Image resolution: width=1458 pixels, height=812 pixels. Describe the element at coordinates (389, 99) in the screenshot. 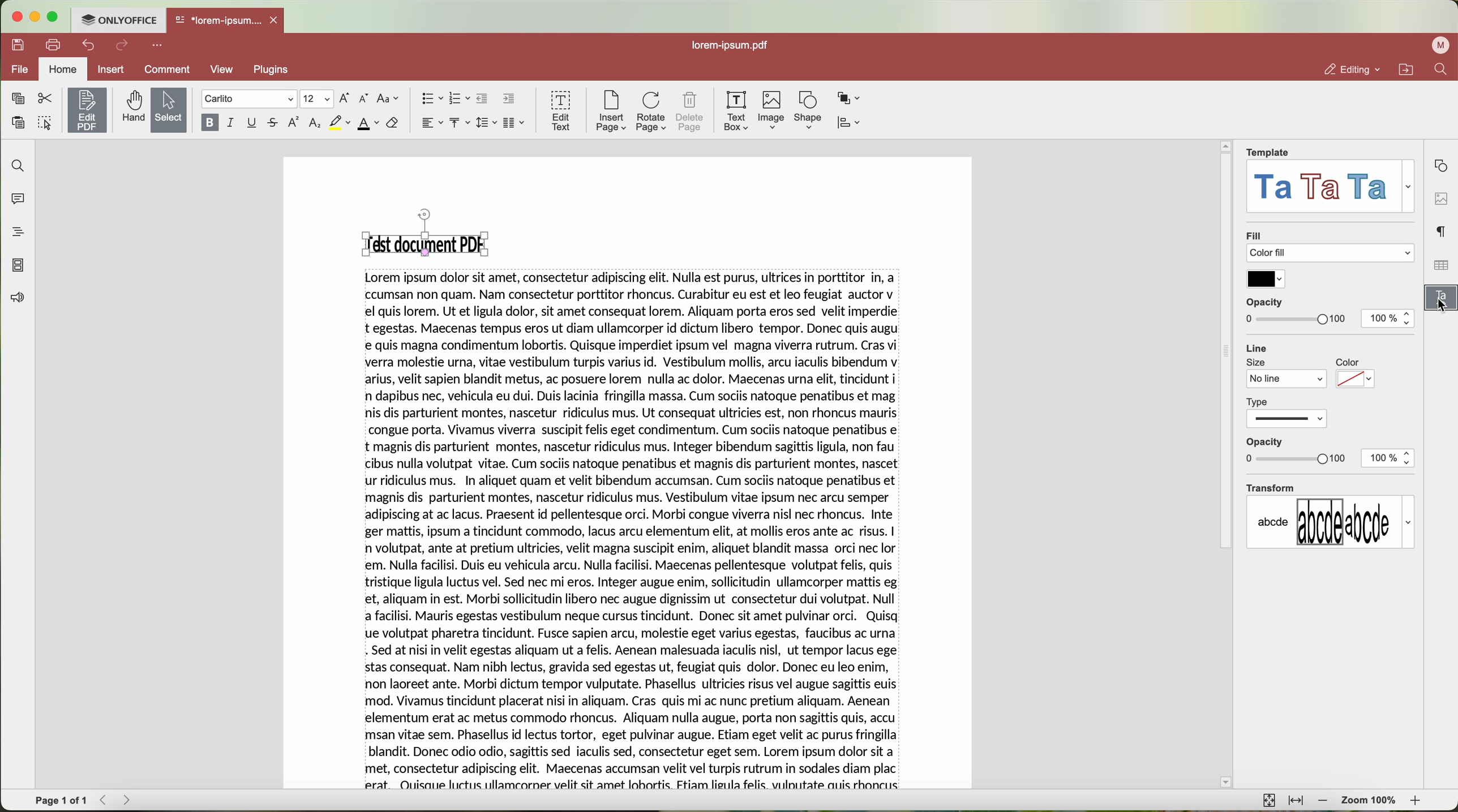

I see `change case` at that location.